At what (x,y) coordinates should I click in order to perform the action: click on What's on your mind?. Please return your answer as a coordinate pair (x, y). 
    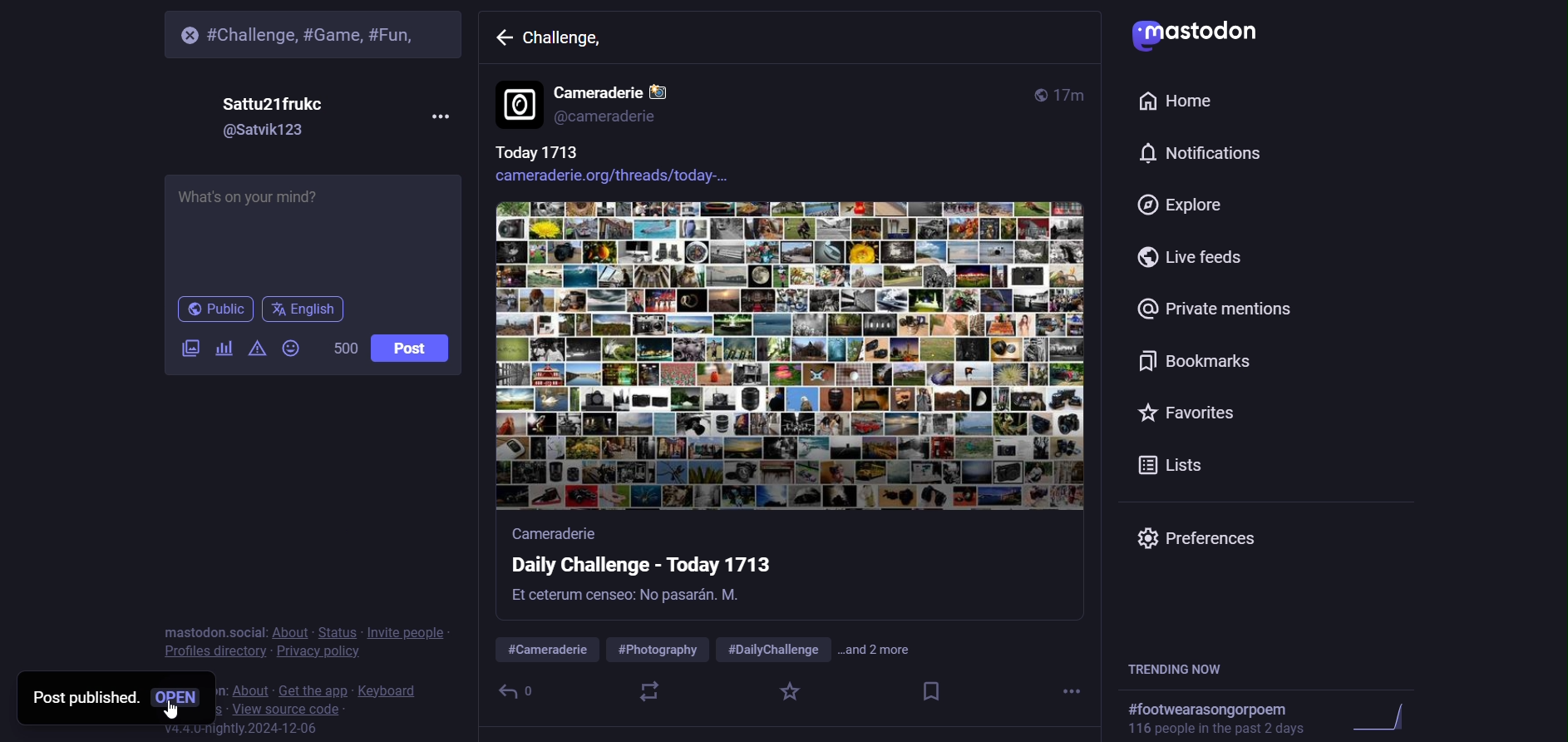
    Looking at the image, I should click on (308, 232).